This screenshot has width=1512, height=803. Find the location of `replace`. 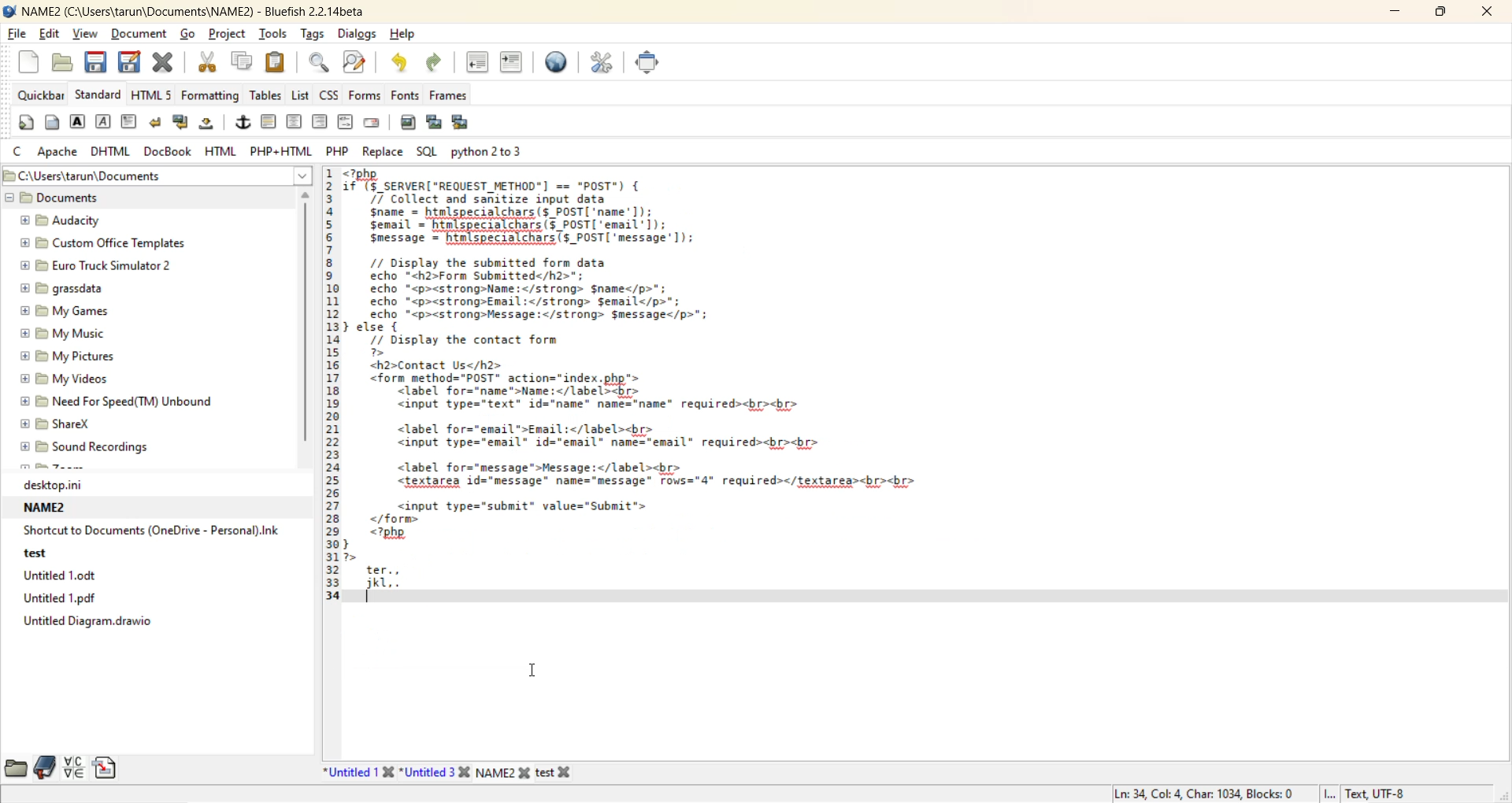

replace is located at coordinates (382, 152).